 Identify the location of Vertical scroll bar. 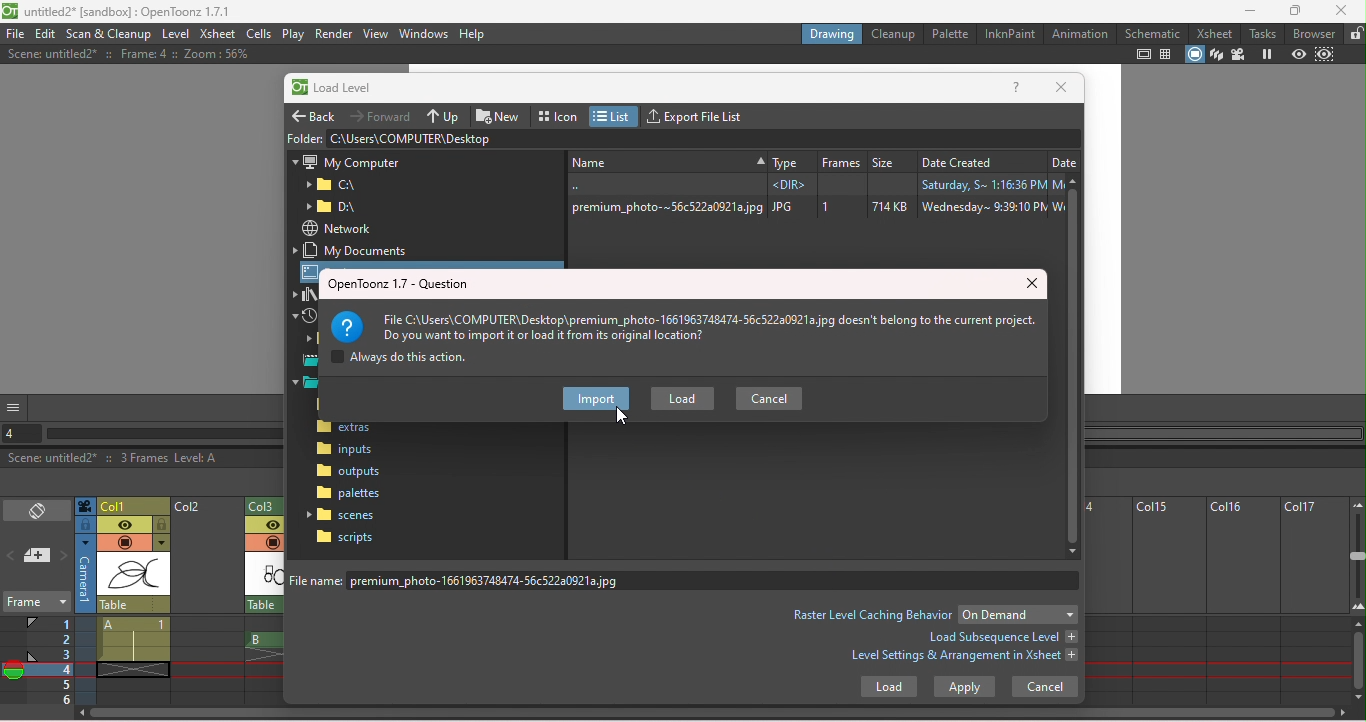
(1358, 662).